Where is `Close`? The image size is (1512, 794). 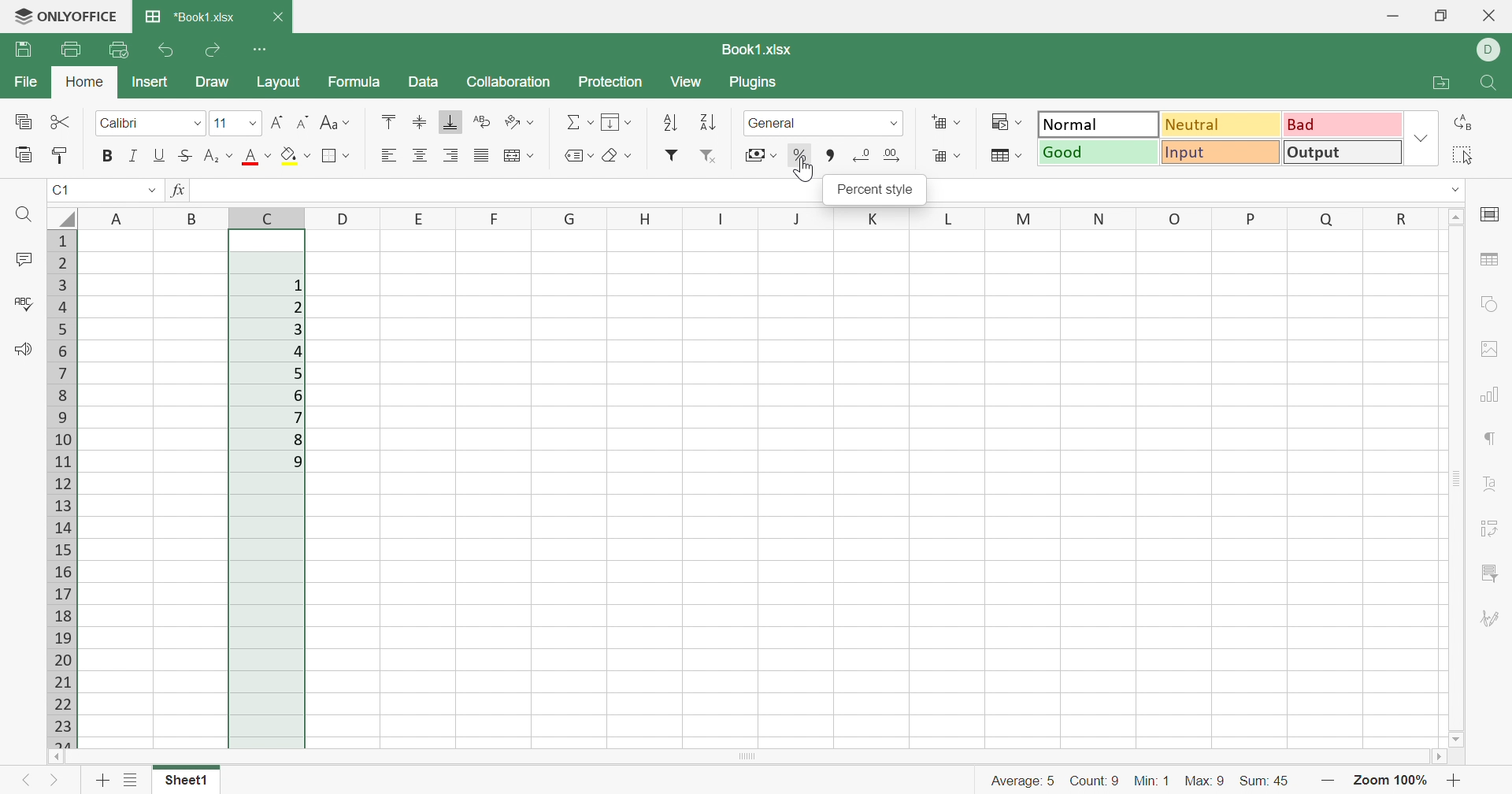 Close is located at coordinates (280, 17).